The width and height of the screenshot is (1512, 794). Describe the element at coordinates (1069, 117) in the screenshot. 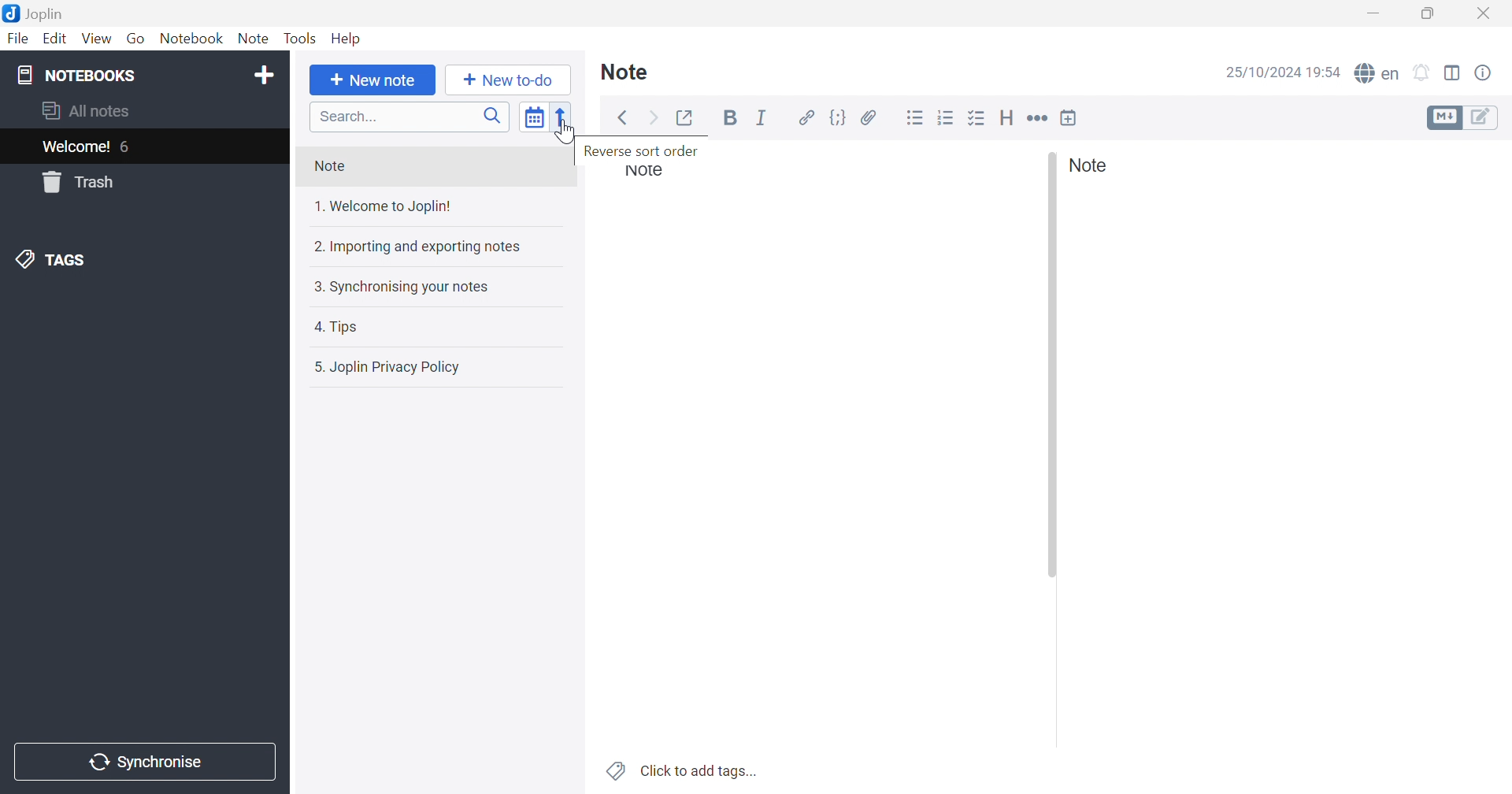

I see `Insert time` at that location.